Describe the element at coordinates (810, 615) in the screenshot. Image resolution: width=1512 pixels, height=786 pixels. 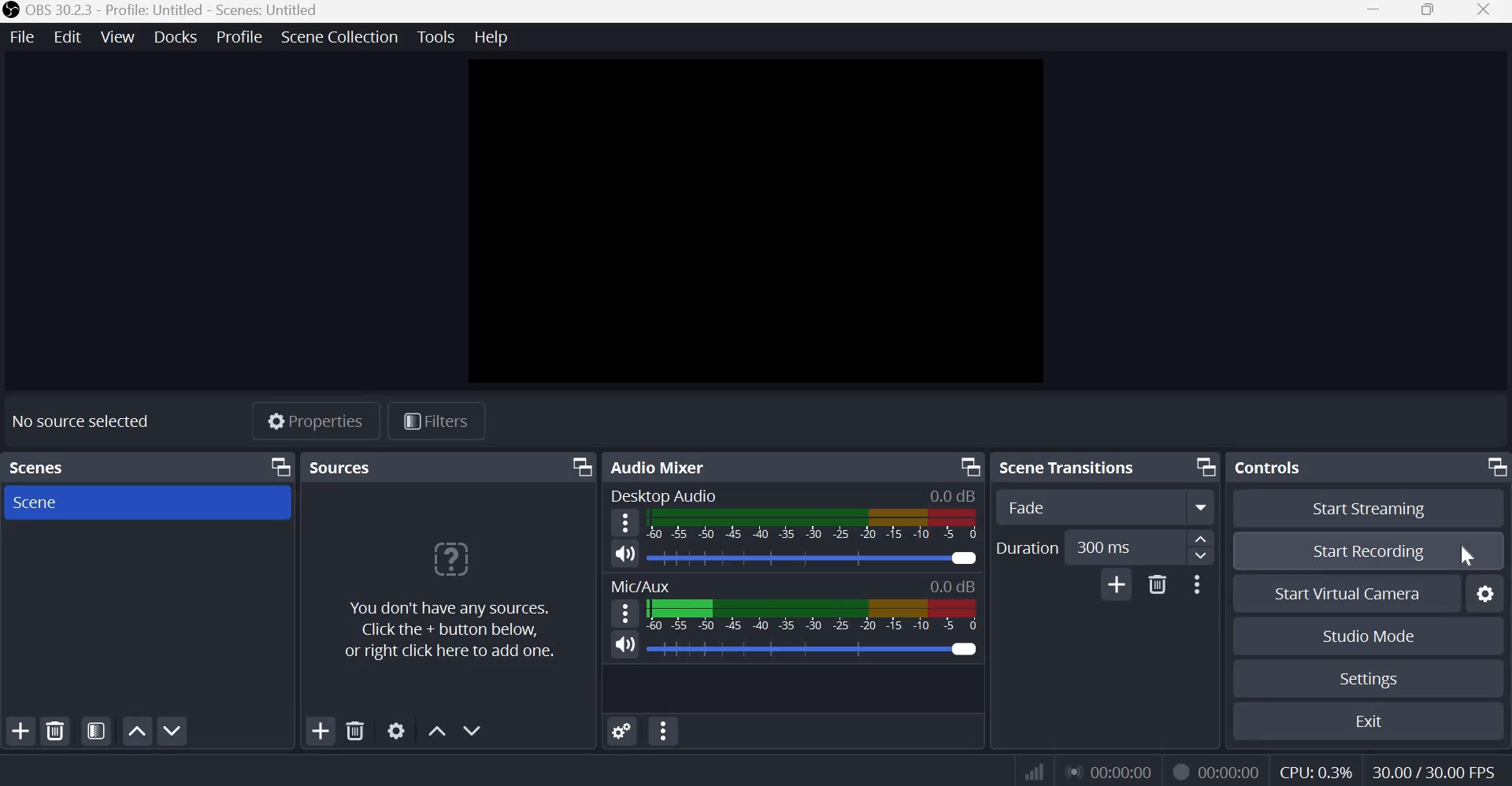
I see `Volume Meter` at that location.